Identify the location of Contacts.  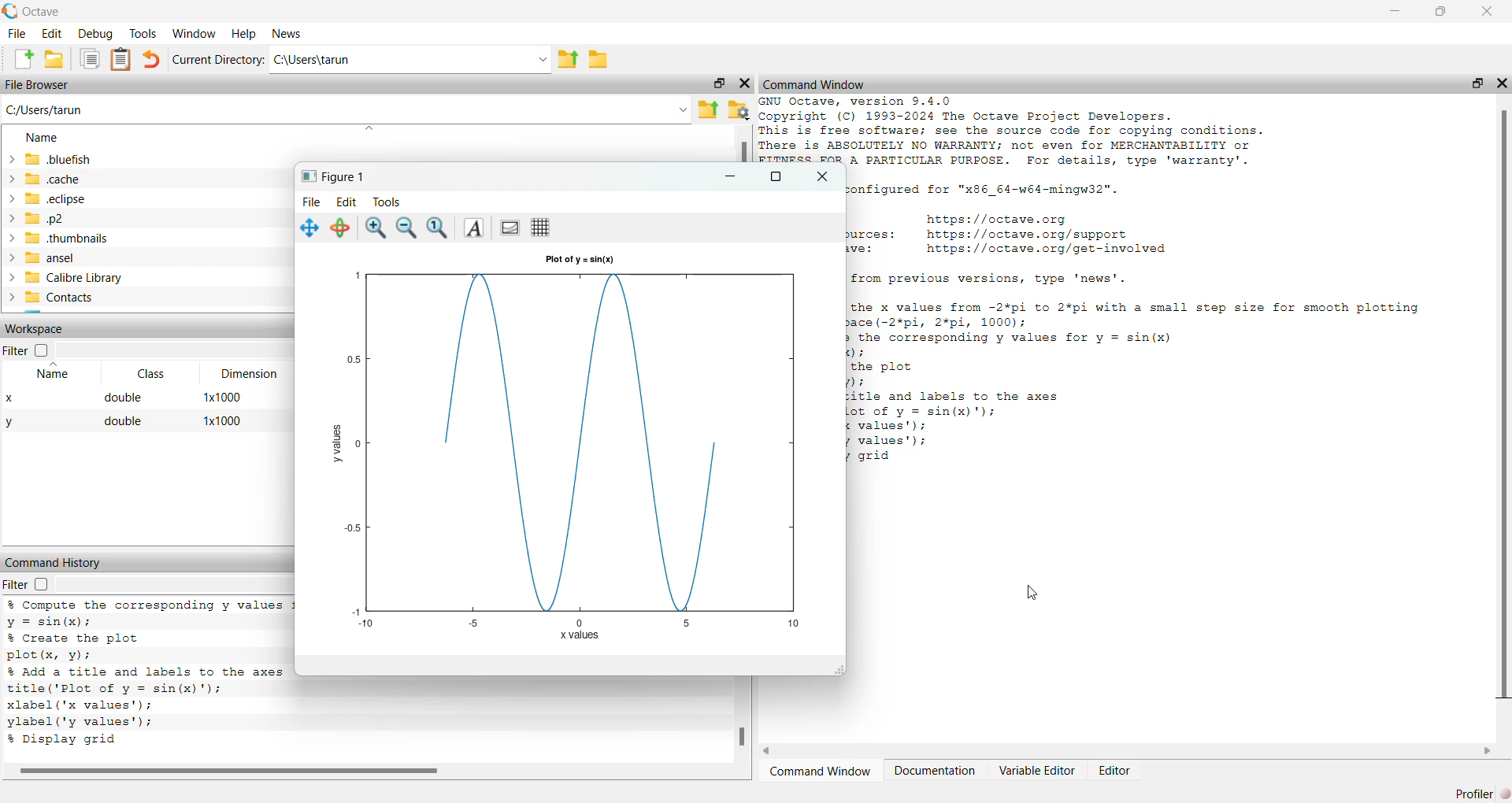
(56, 298).